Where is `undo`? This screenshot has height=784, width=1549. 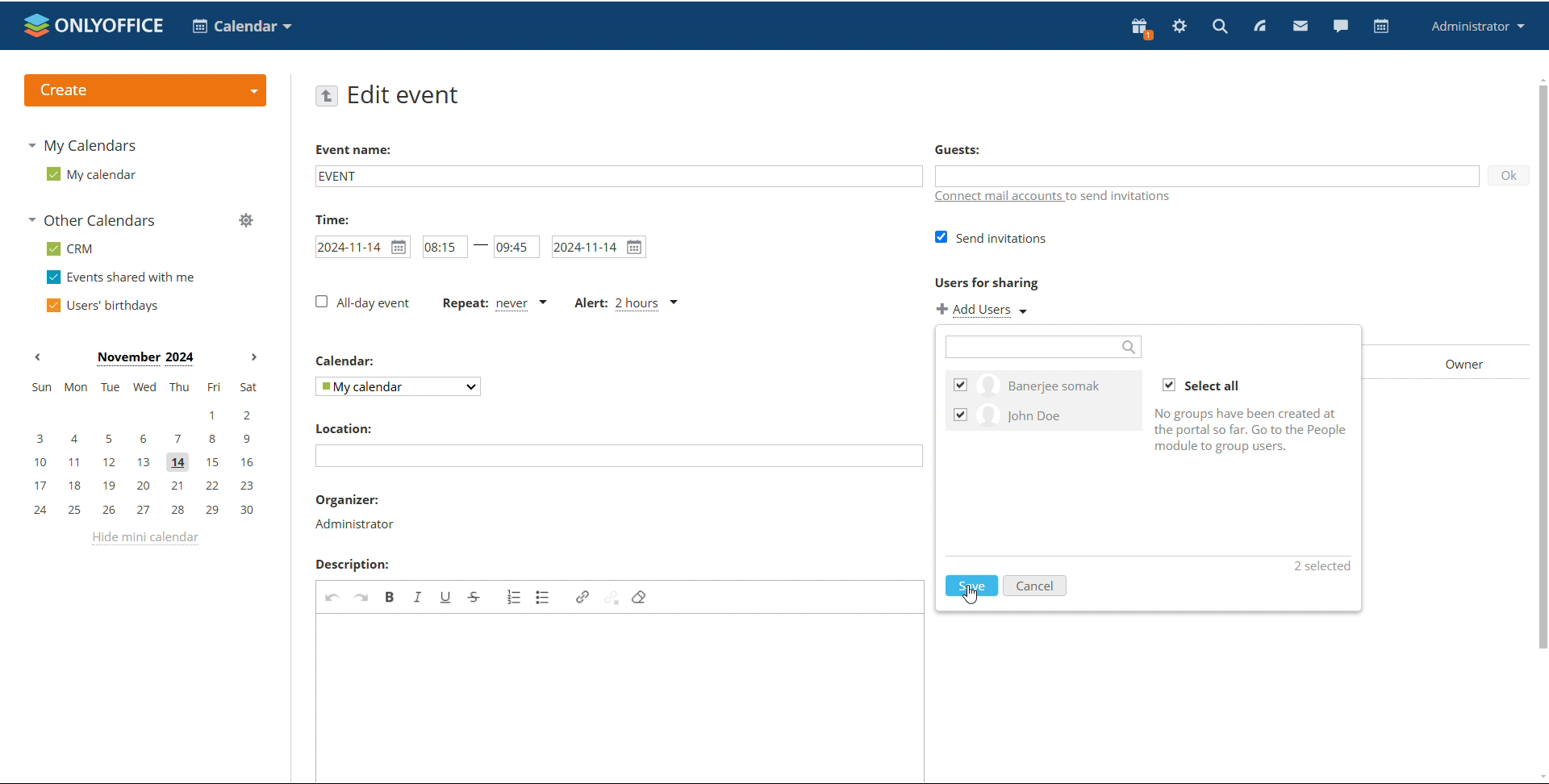
undo is located at coordinates (333, 596).